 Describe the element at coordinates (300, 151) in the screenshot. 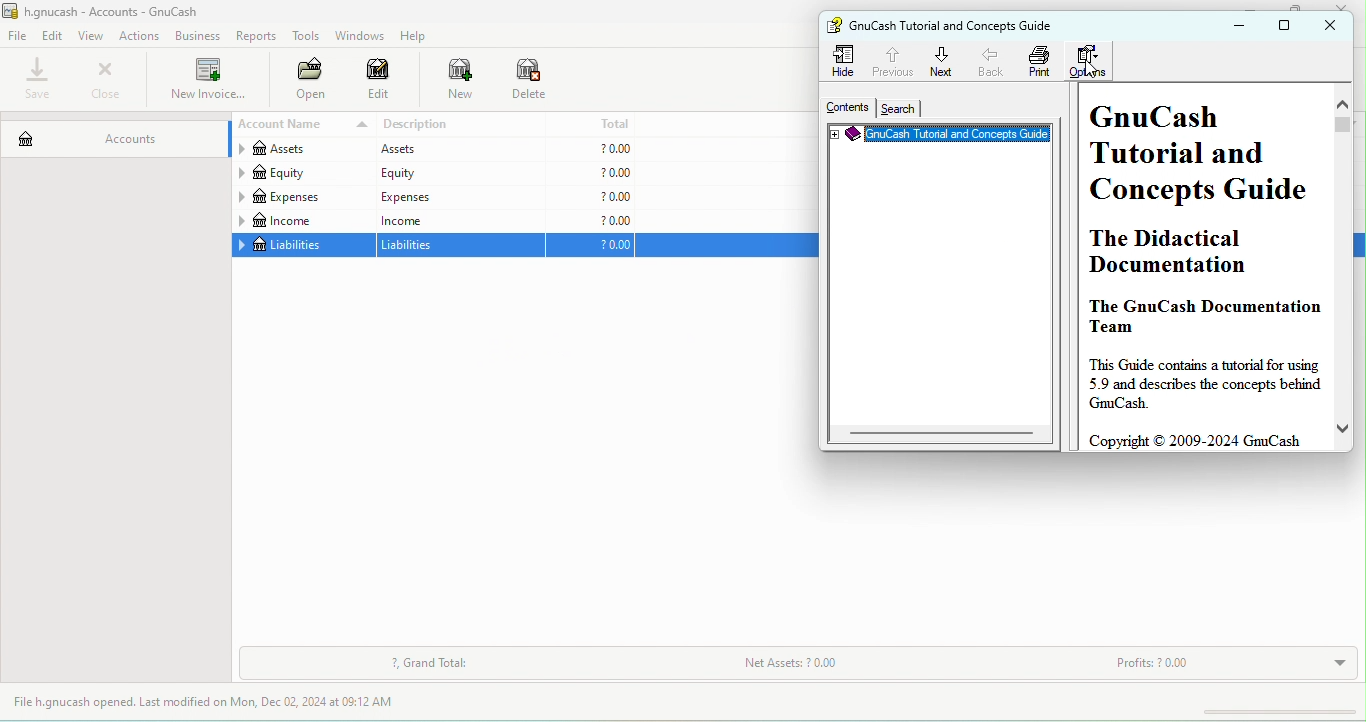

I see `assets` at that location.